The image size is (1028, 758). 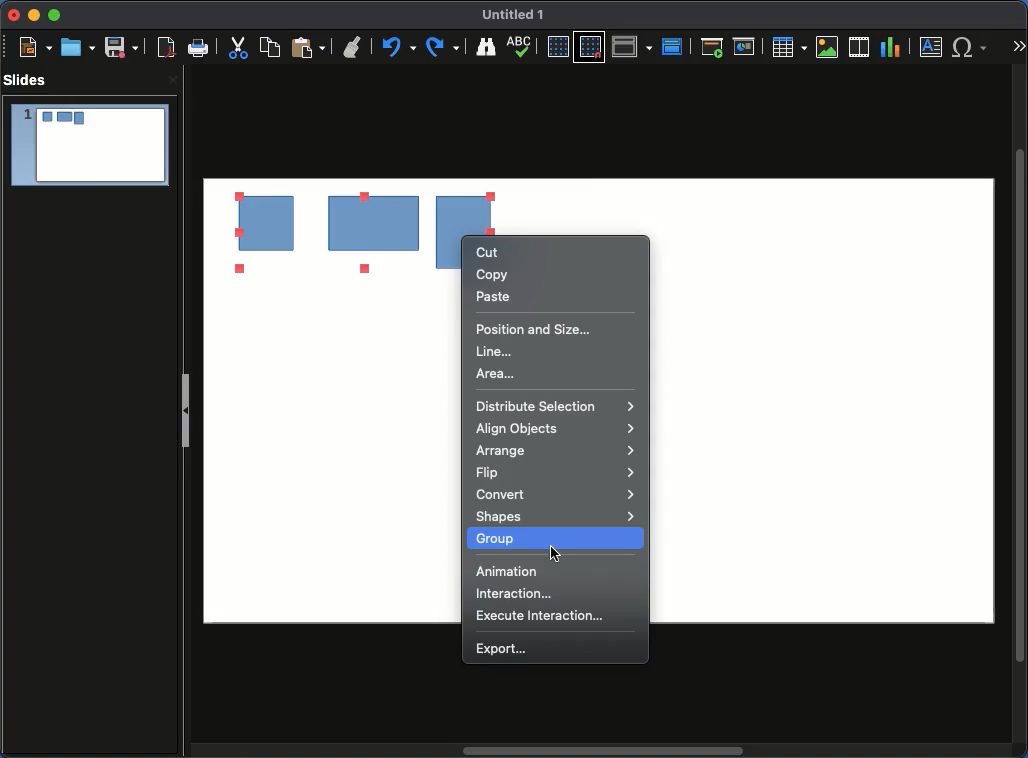 I want to click on More, so click(x=1018, y=41).